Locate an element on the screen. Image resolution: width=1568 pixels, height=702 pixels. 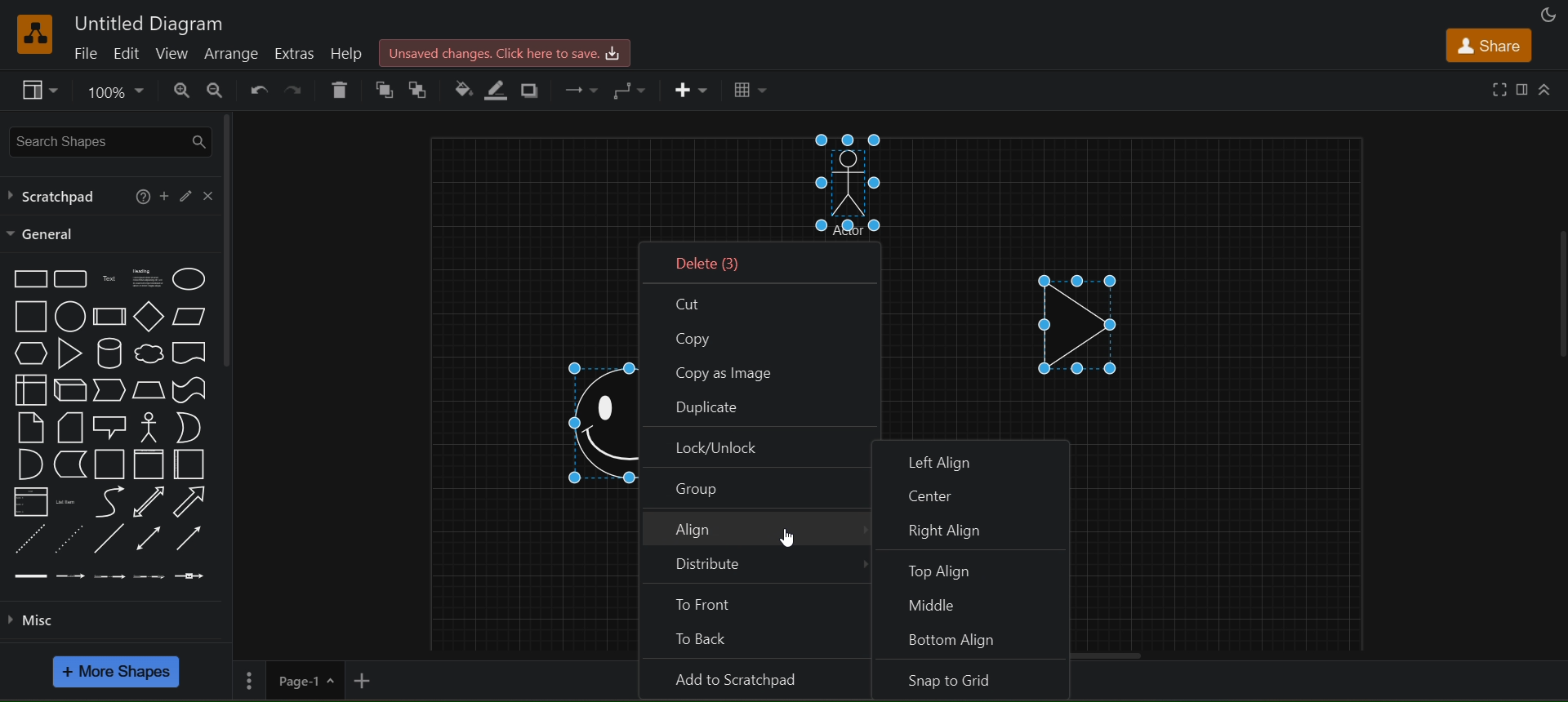
table is located at coordinates (750, 91).